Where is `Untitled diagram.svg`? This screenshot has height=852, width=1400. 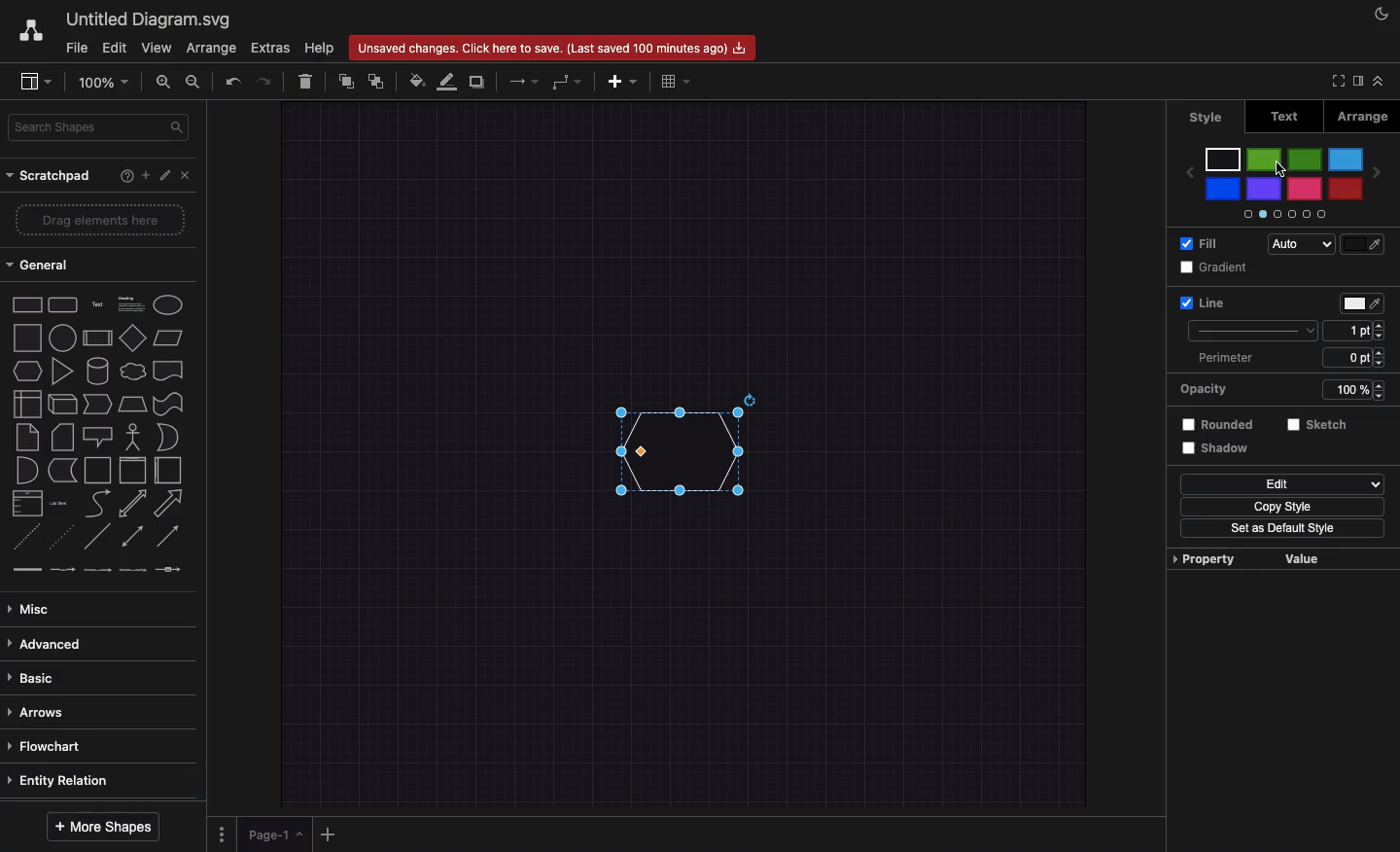
Untitled diagram.svg is located at coordinates (149, 18).